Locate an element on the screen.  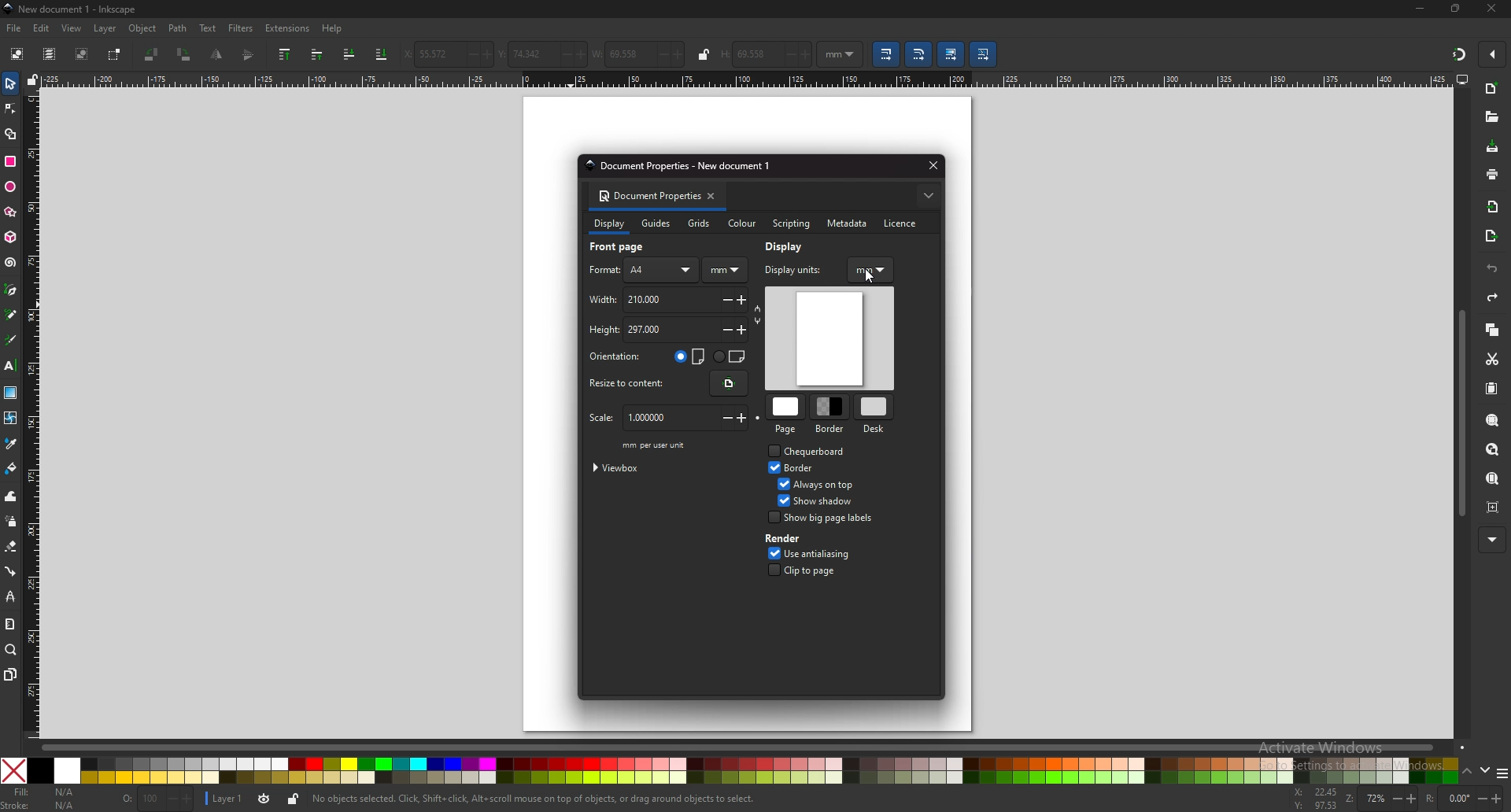
mm is located at coordinates (725, 271).